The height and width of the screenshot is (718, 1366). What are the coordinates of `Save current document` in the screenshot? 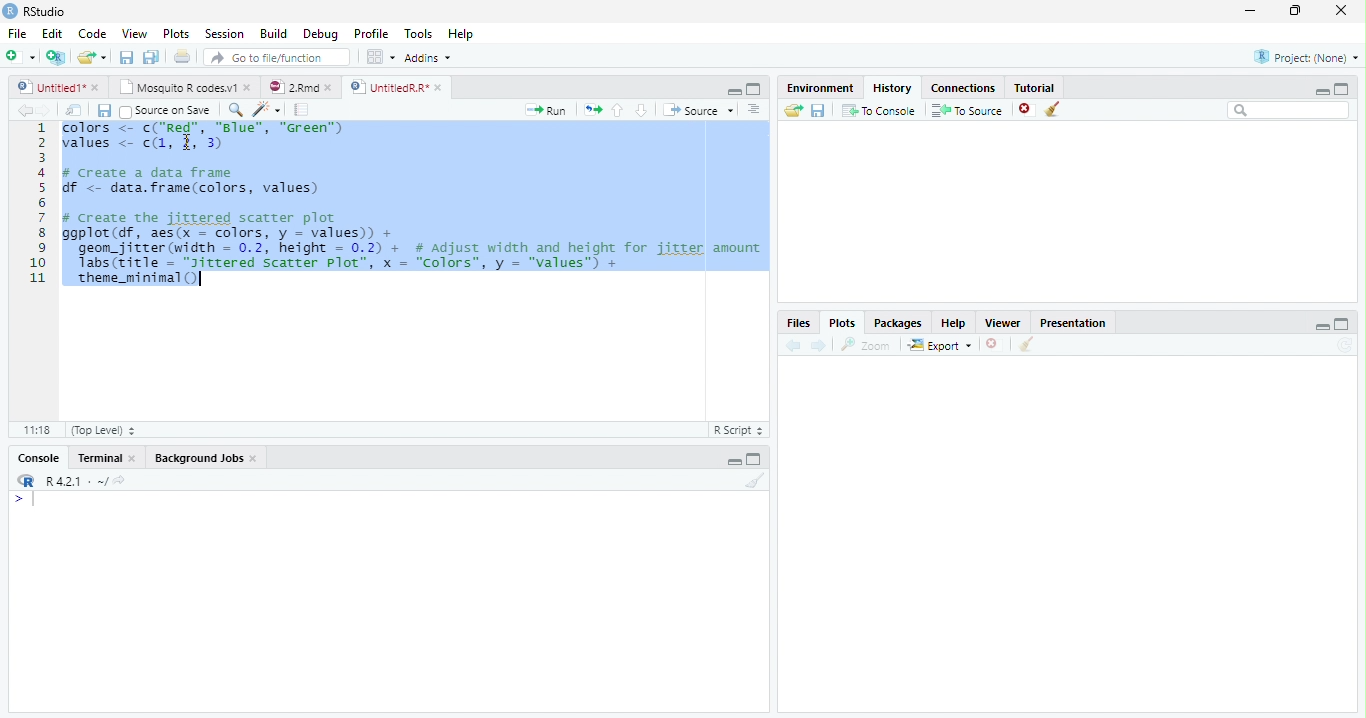 It's located at (105, 111).